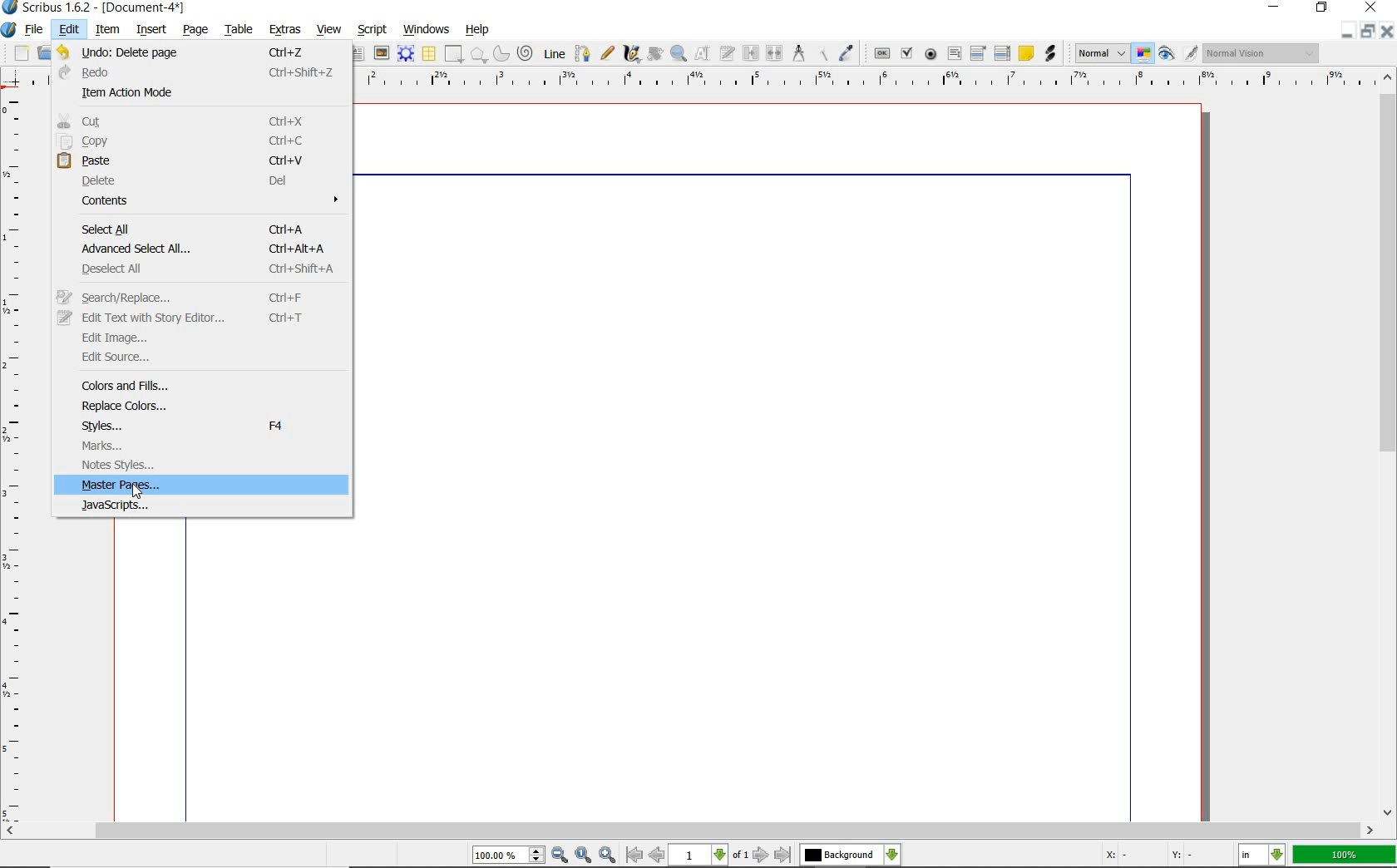  What do you see at coordinates (332, 30) in the screenshot?
I see `view` at bounding box center [332, 30].